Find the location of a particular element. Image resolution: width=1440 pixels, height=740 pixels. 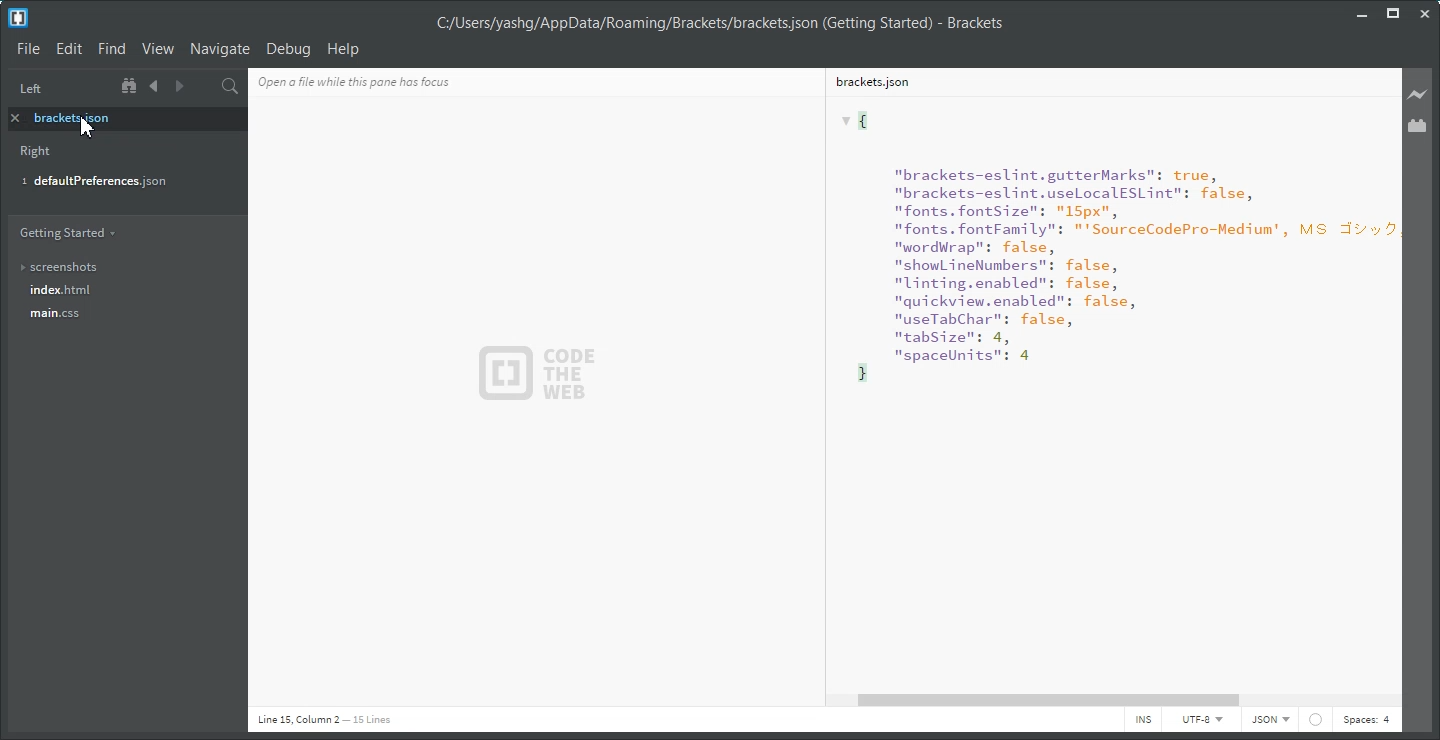

Text is located at coordinates (542, 371).